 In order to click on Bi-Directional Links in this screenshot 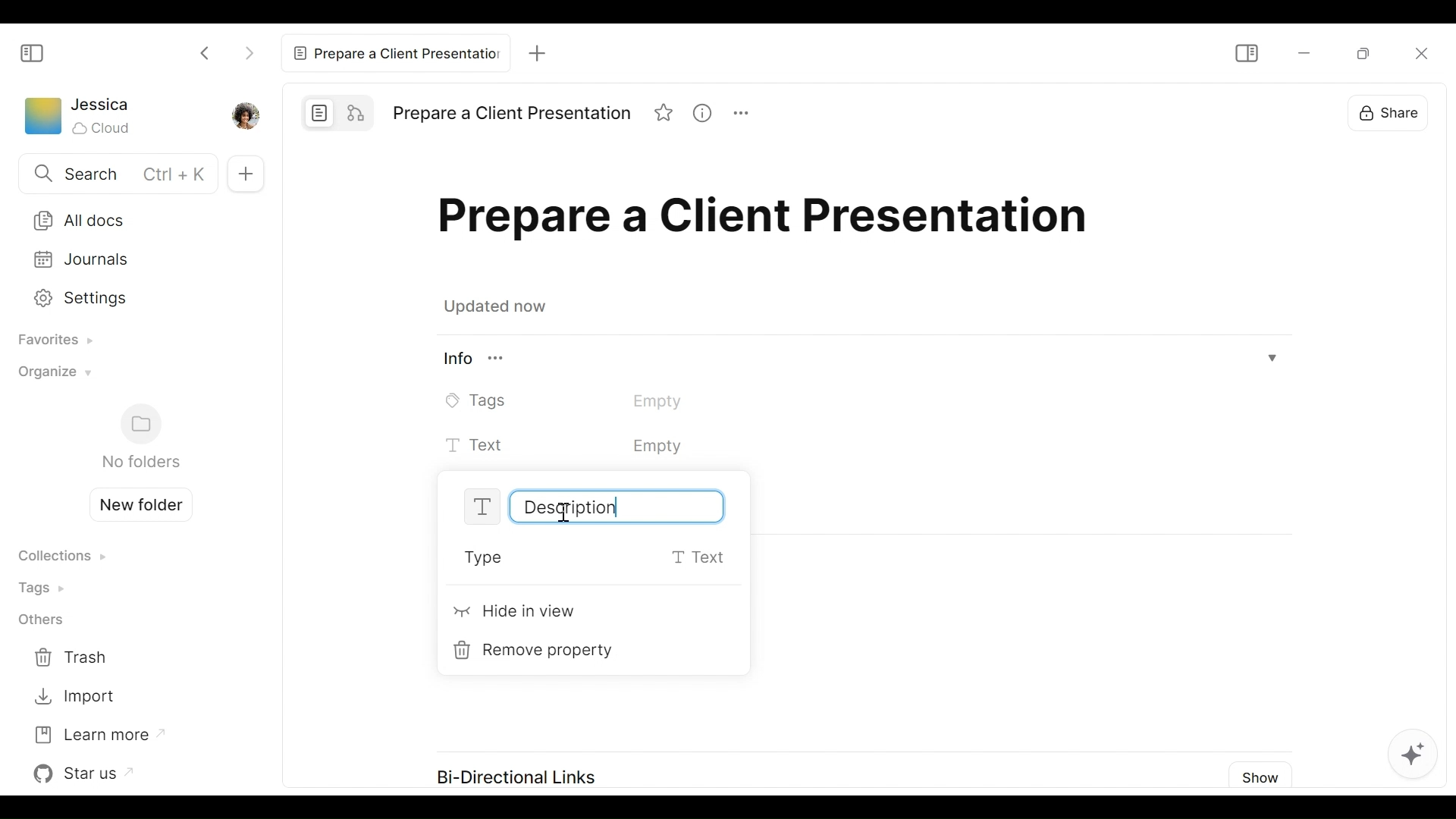, I will do `click(516, 778)`.